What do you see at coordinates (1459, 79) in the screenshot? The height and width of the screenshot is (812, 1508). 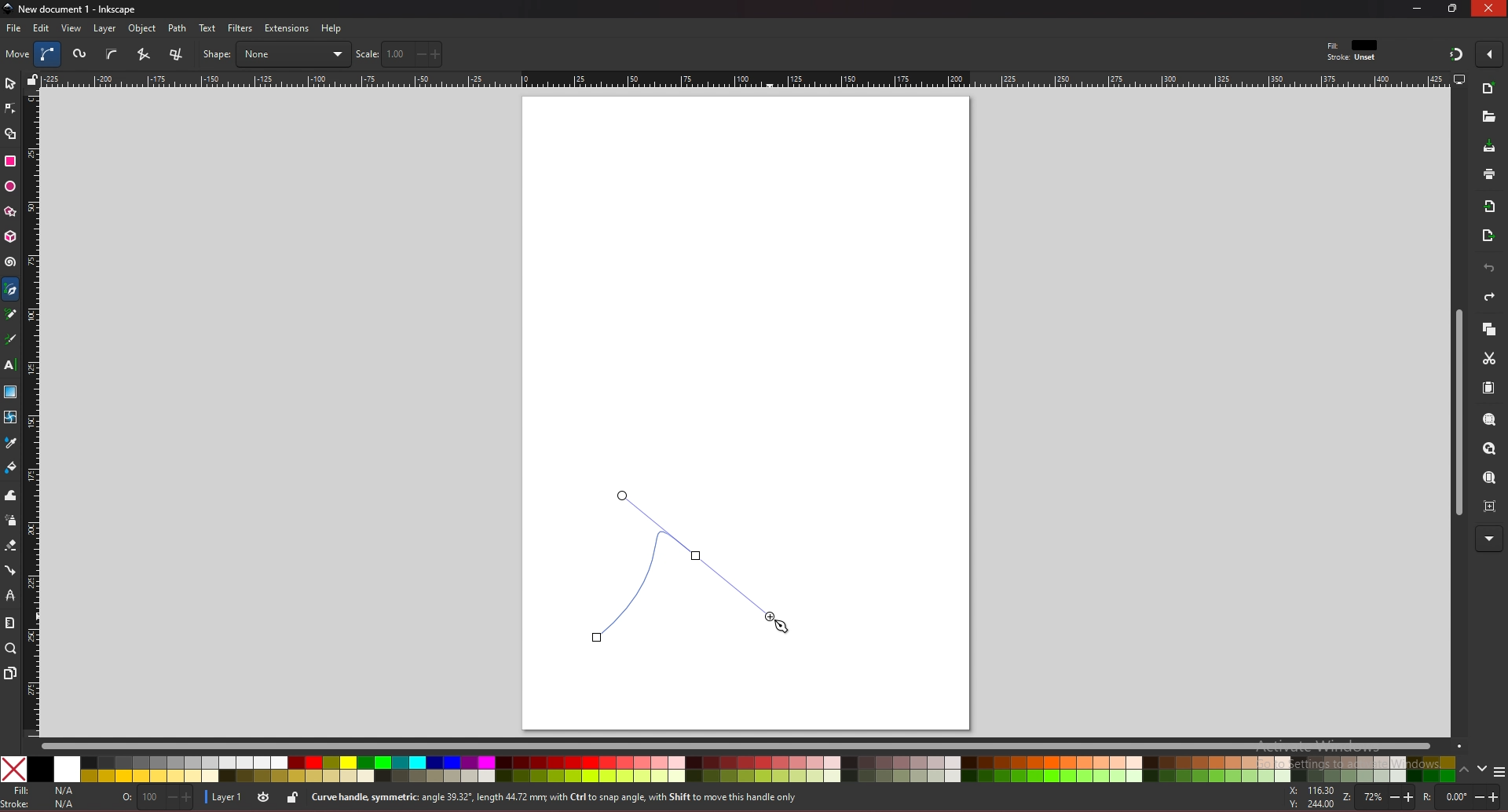 I see `display options` at bounding box center [1459, 79].